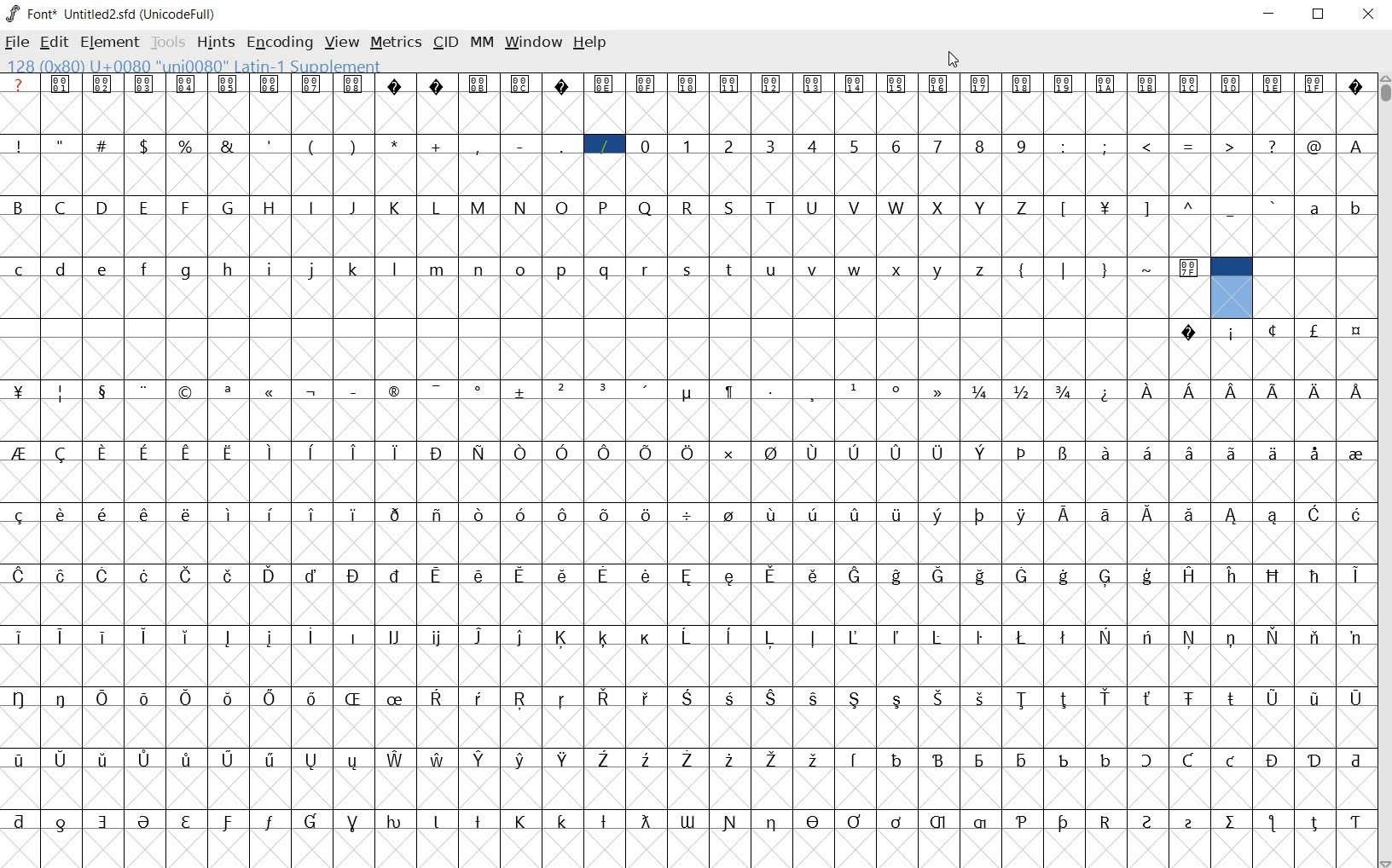  What do you see at coordinates (229, 84) in the screenshot?
I see `Symbol` at bounding box center [229, 84].